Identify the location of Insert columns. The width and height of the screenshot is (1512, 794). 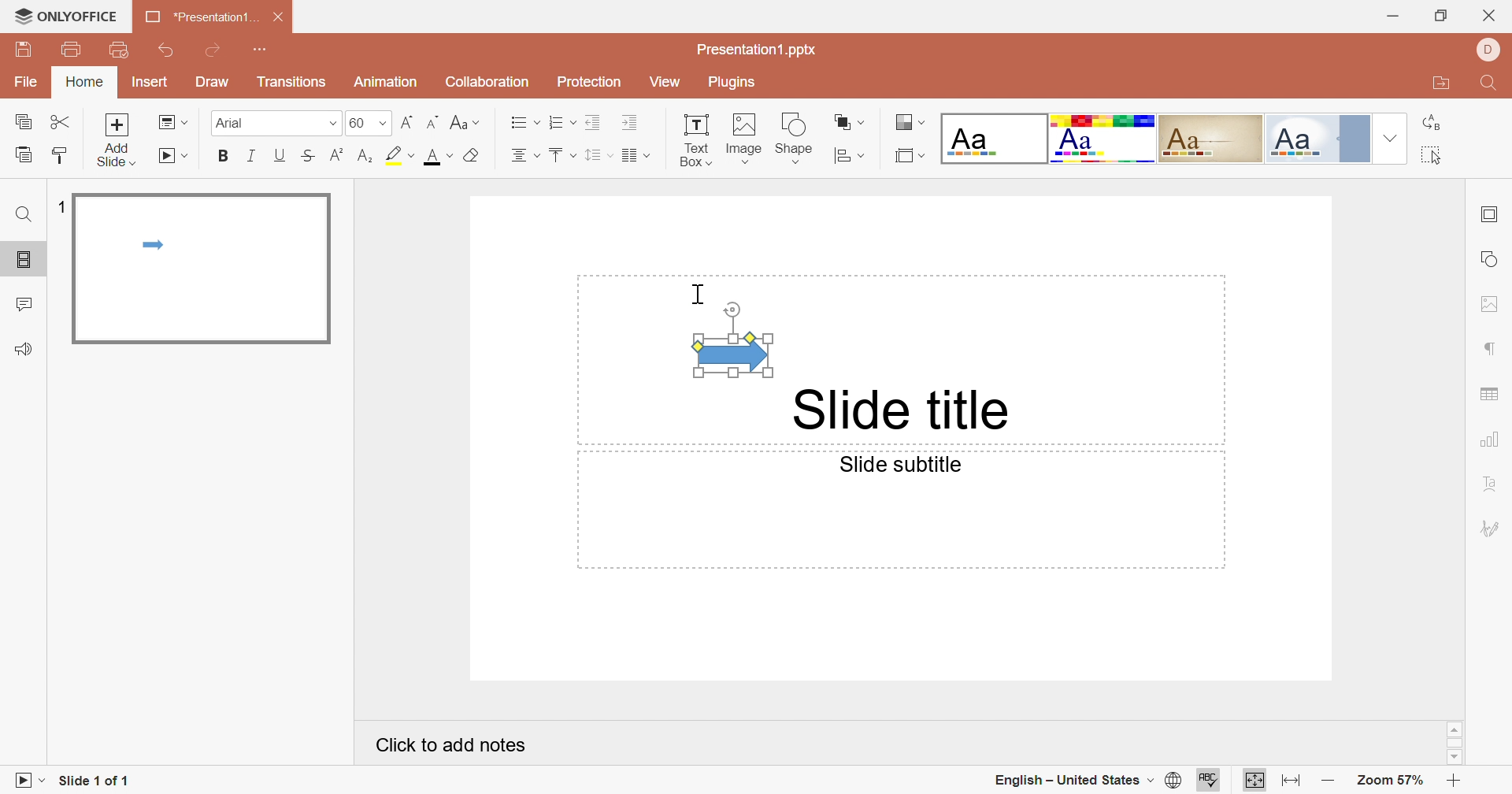
(636, 156).